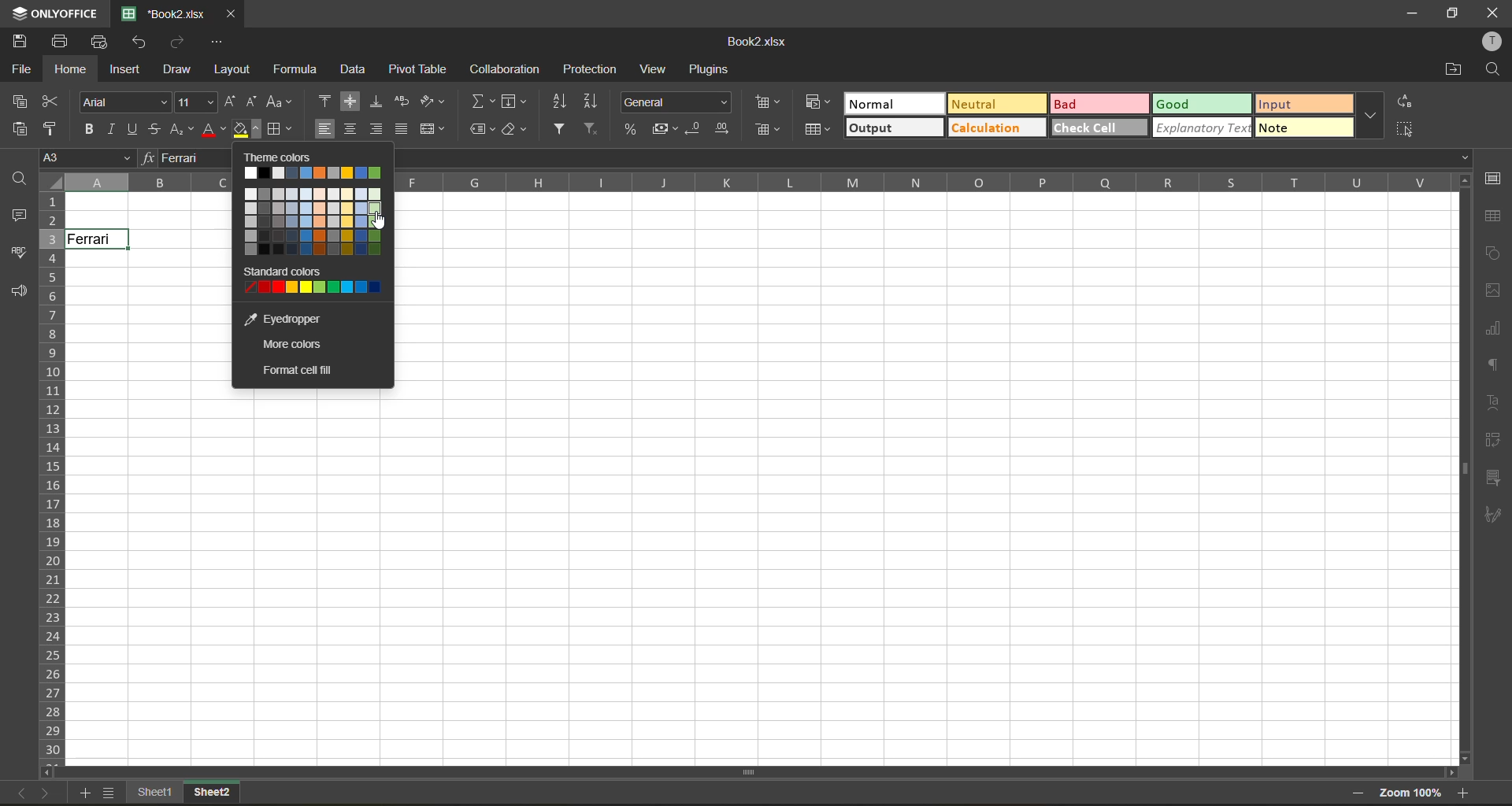  What do you see at coordinates (231, 102) in the screenshot?
I see `increment size` at bounding box center [231, 102].